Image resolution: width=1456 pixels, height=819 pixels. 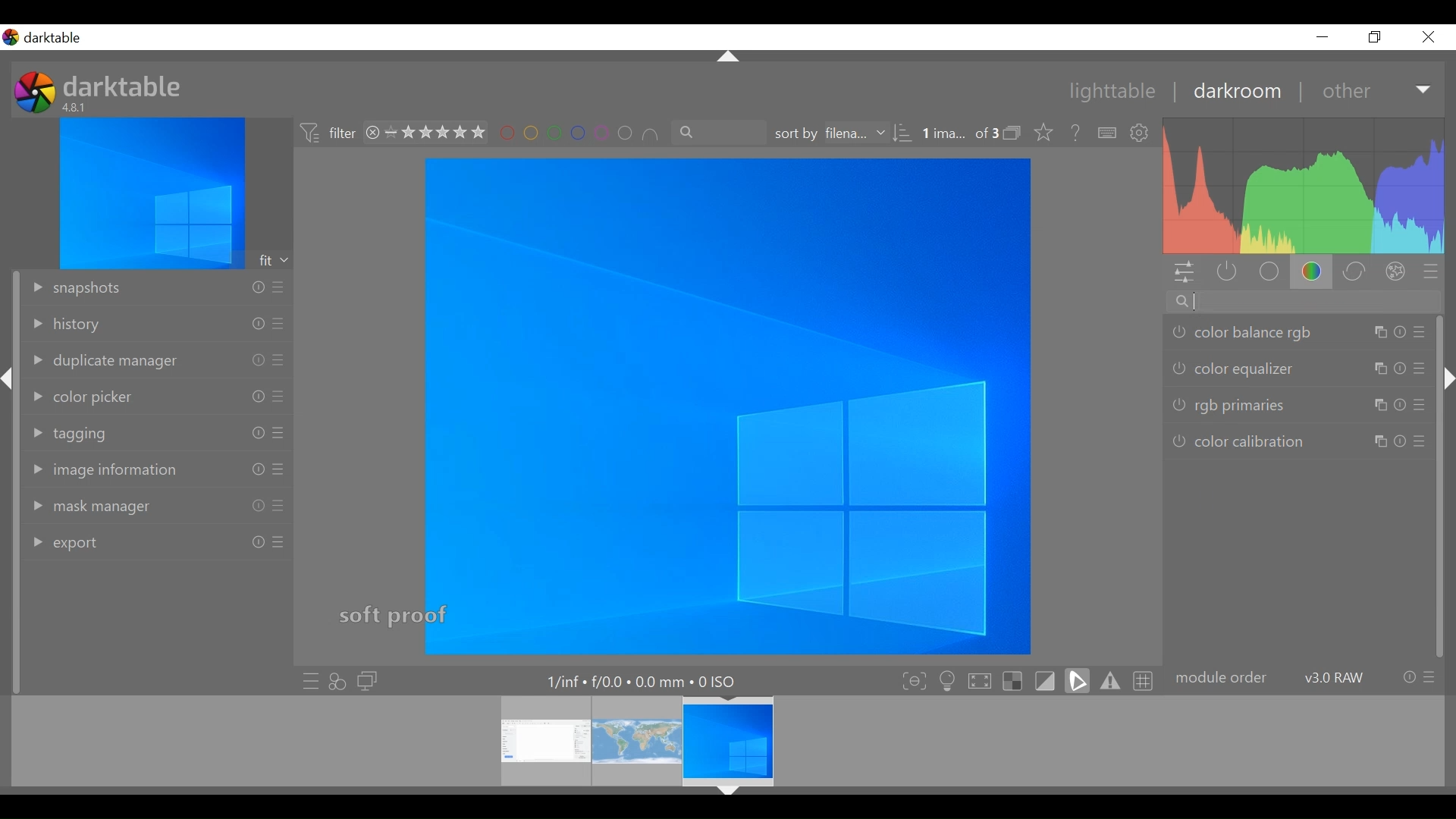 I want to click on toggle gamut checking, so click(x=1109, y=681).